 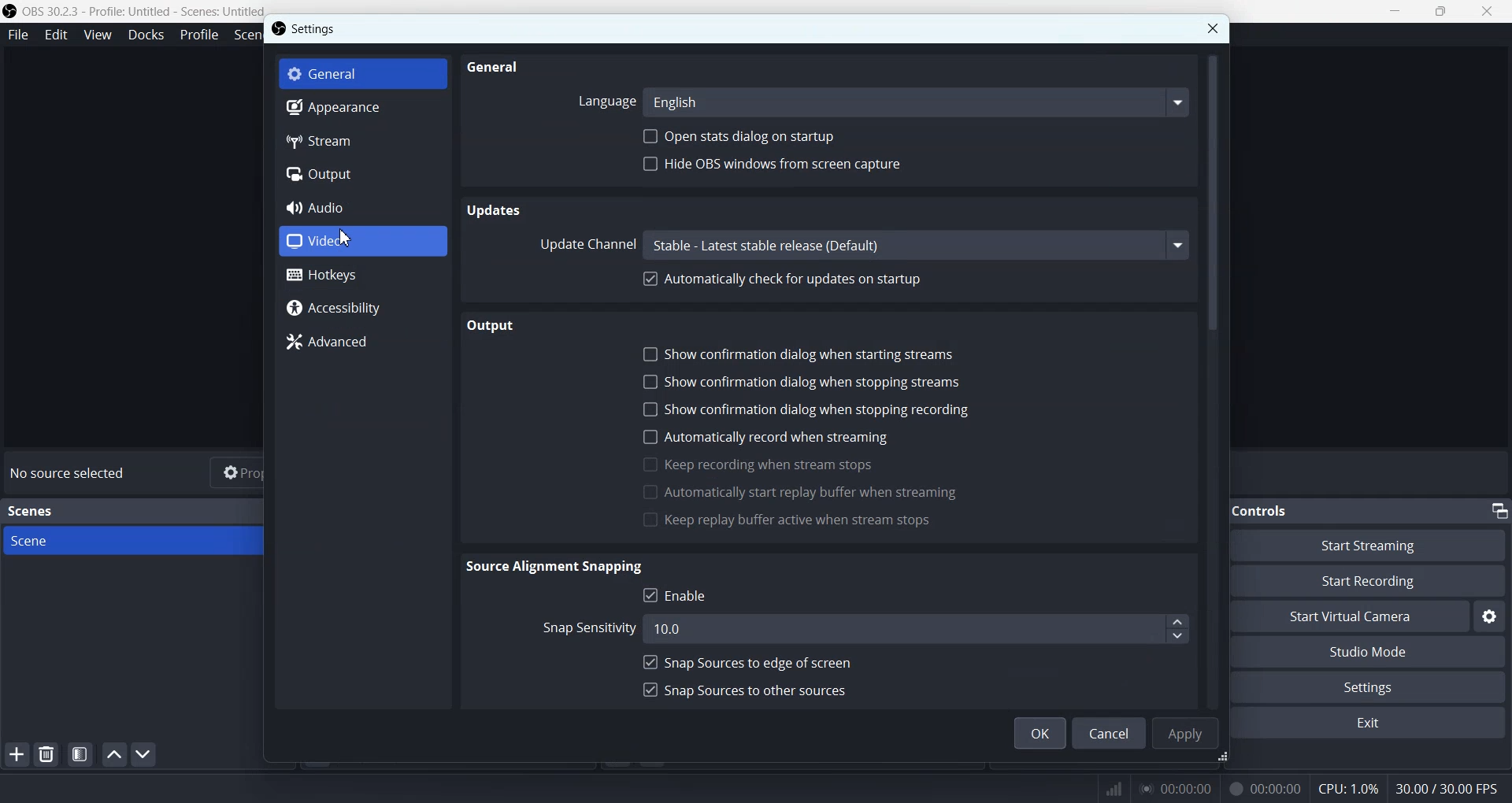 What do you see at coordinates (824, 409) in the screenshot?
I see `Show confirmation dialog when stopping recording` at bounding box center [824, 409].